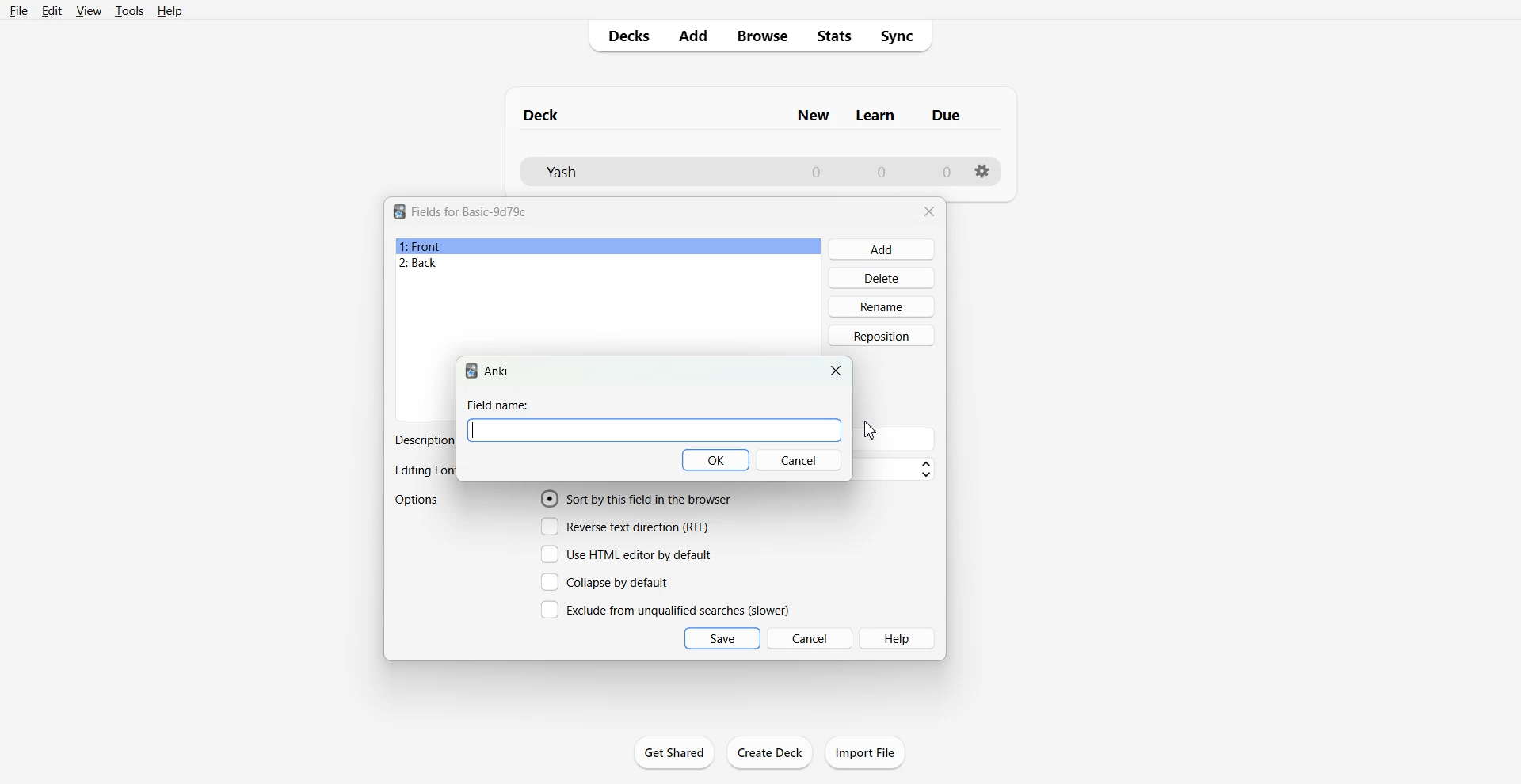 Image resolution: width=1521 pixels, height=784 pixels. I want to click on Settings, so click(983, 171).